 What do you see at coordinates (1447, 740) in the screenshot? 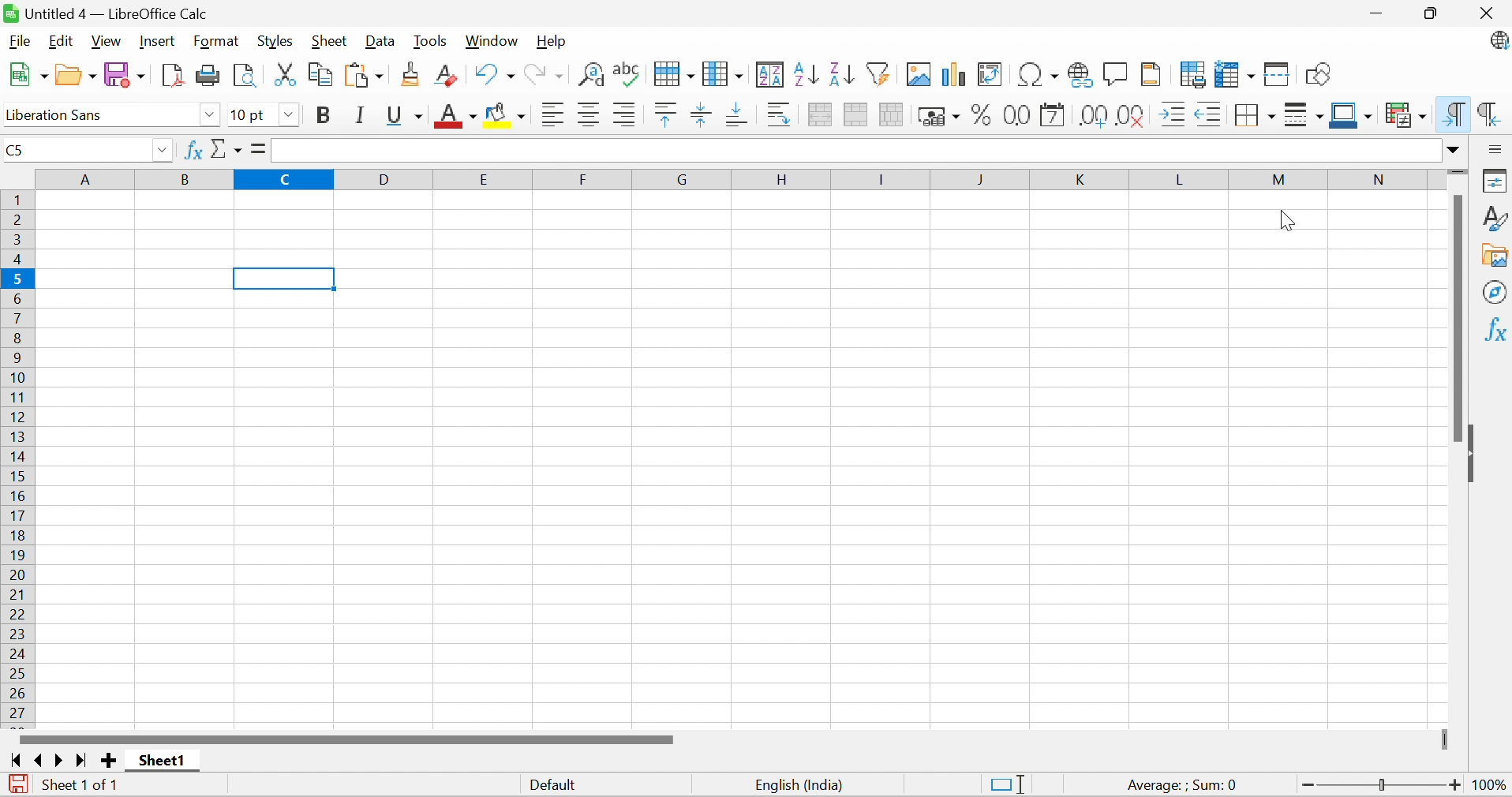
I see `Slider` at bounding box center [1447, 740].